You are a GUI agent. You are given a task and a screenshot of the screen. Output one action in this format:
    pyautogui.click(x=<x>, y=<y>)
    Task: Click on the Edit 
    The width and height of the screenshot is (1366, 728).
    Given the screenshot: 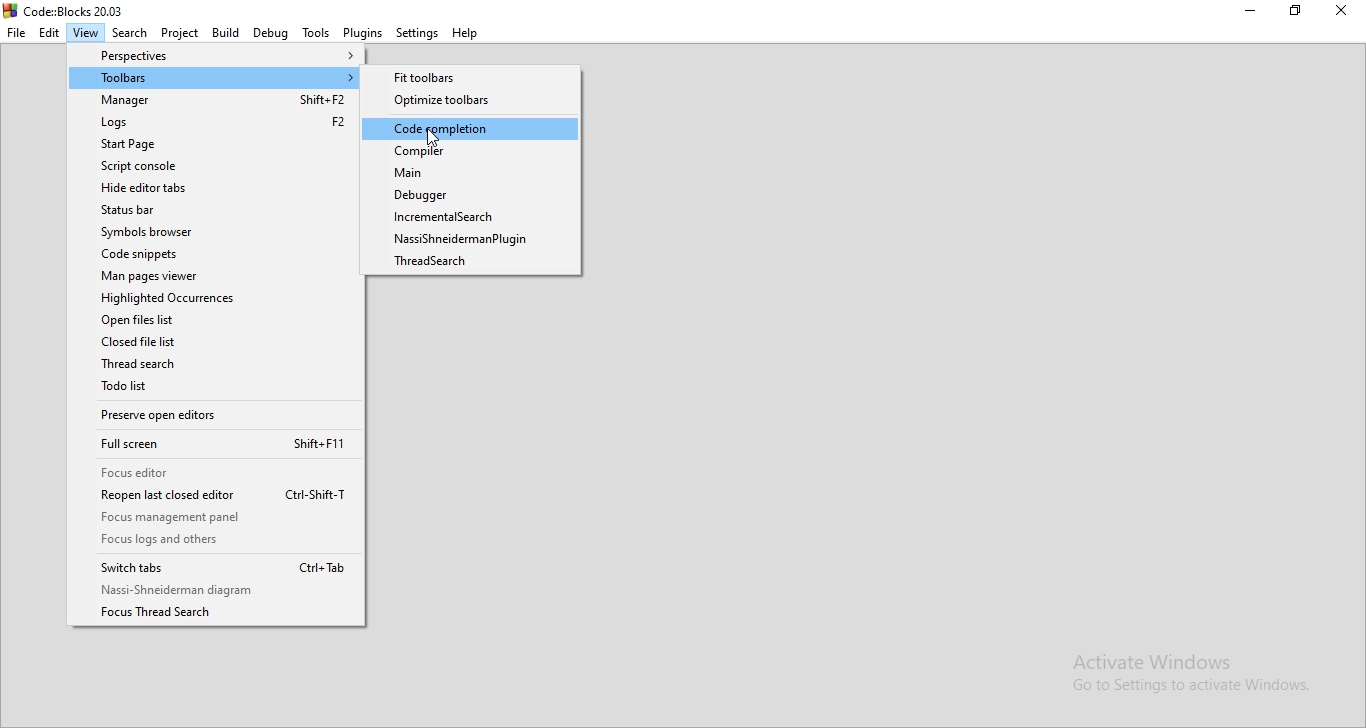 What is the action you would take?
    pyautogui.click(x=49, y=33)
    